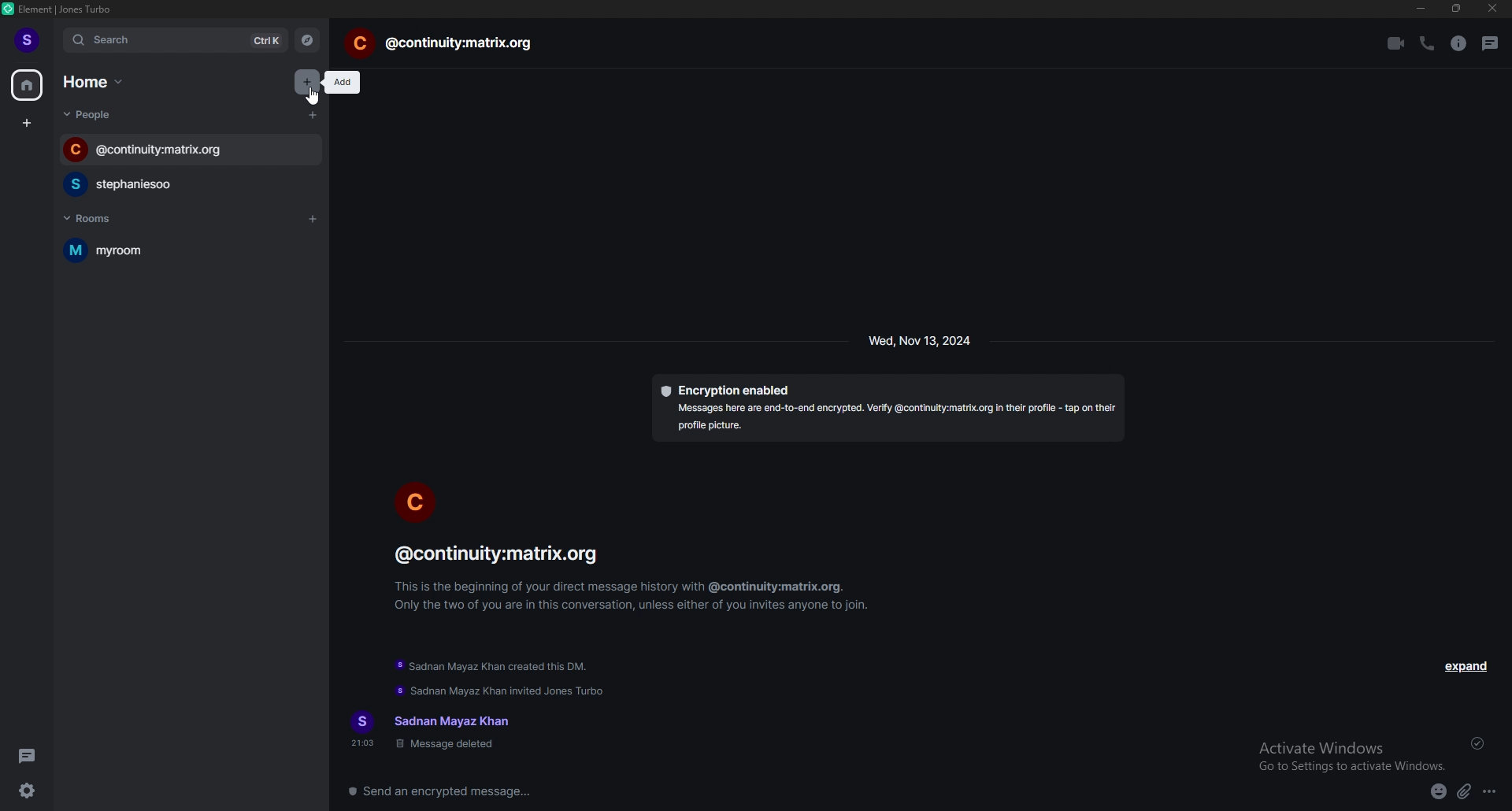  What do you see at coordinates (312, 115) in the screenshot?
I see `start chat` at bounding box center [312, 115].